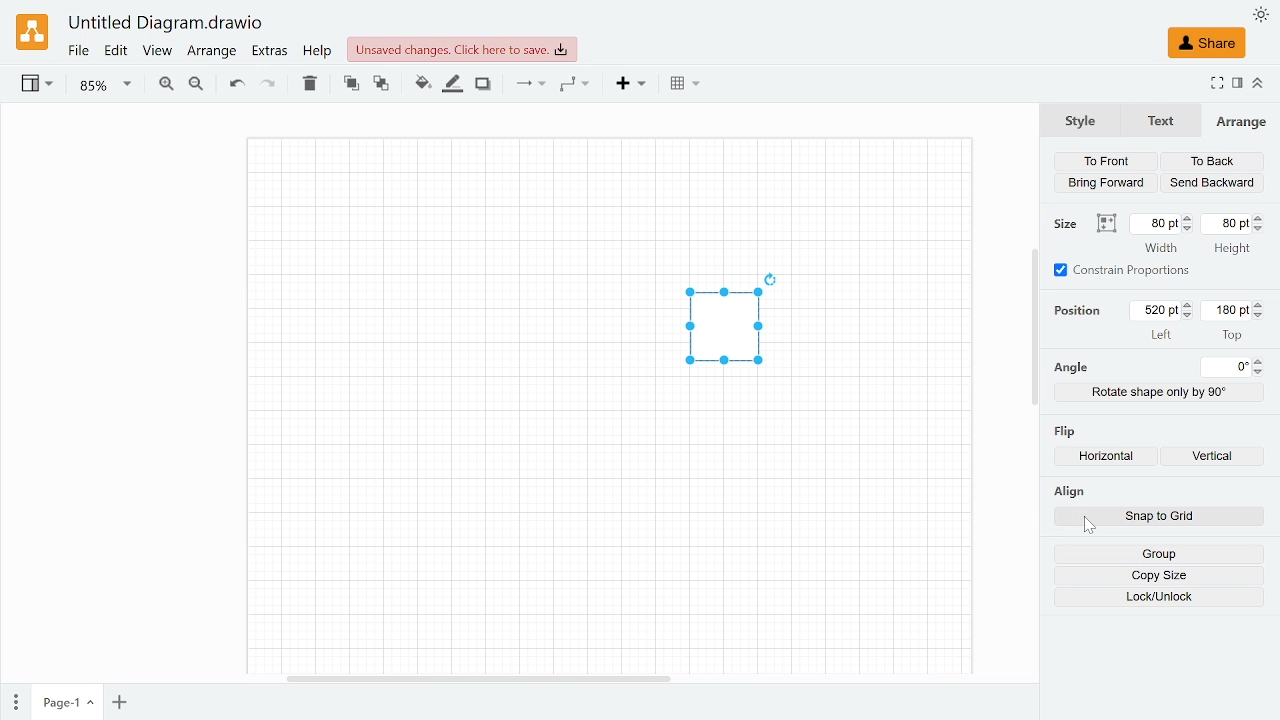 This screenshot has height=720, width=1280. Describe the element at coordinates (1111, 458) in the screenshot. I see `Flip horizontally` at that location.